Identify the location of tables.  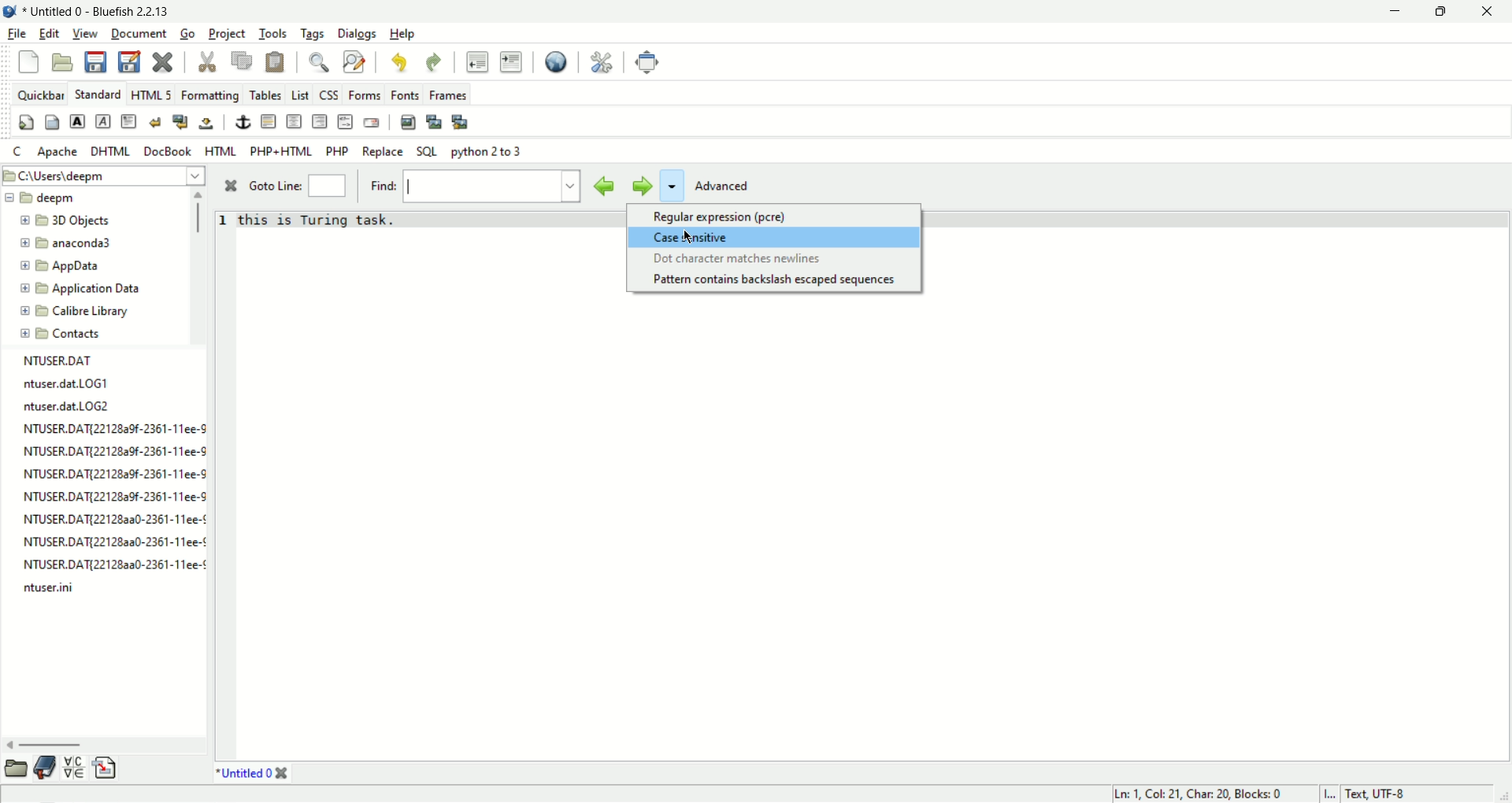
(266, 95).